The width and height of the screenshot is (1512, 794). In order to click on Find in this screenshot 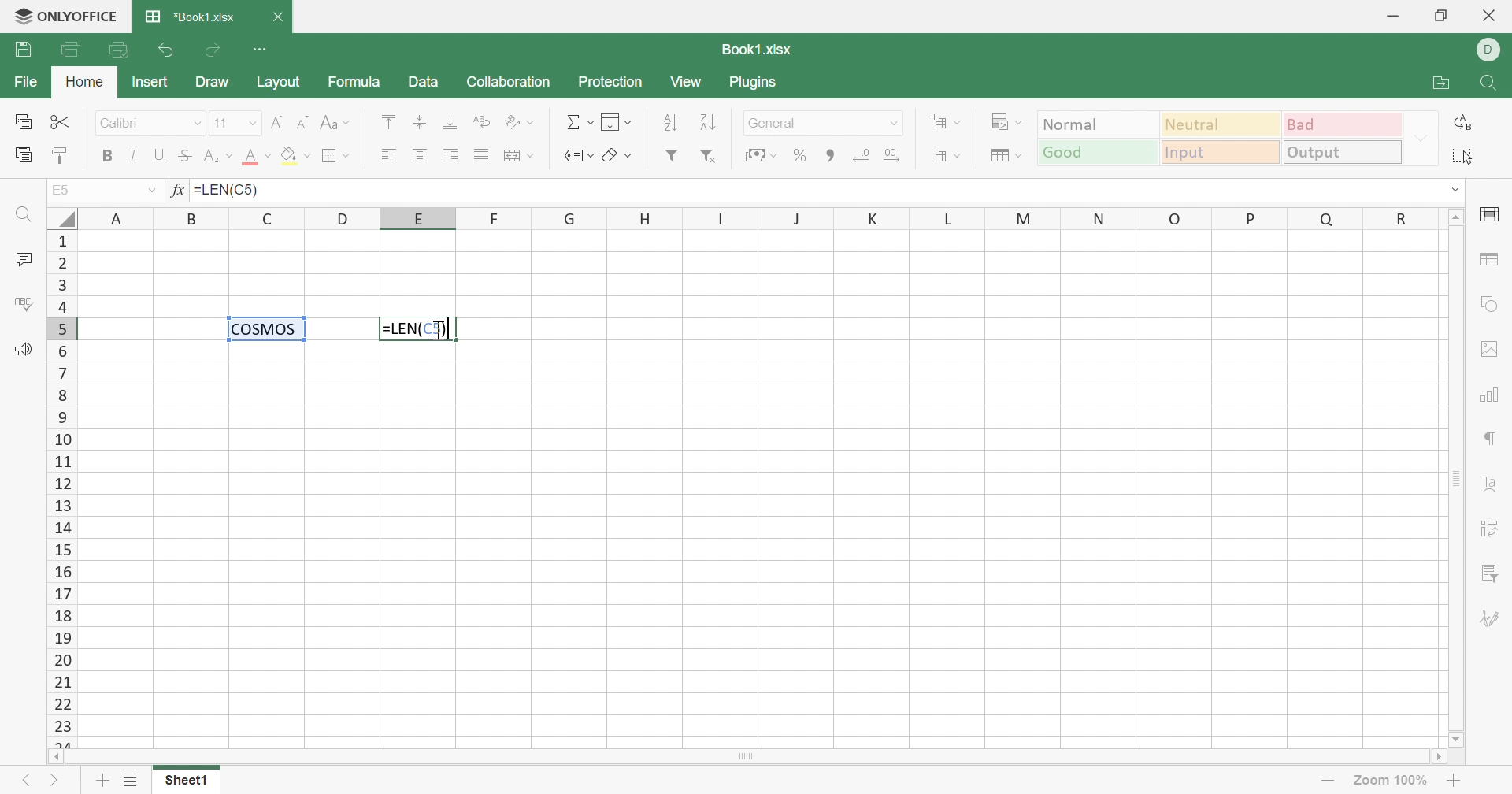, I will do `click(1489, 84)`.